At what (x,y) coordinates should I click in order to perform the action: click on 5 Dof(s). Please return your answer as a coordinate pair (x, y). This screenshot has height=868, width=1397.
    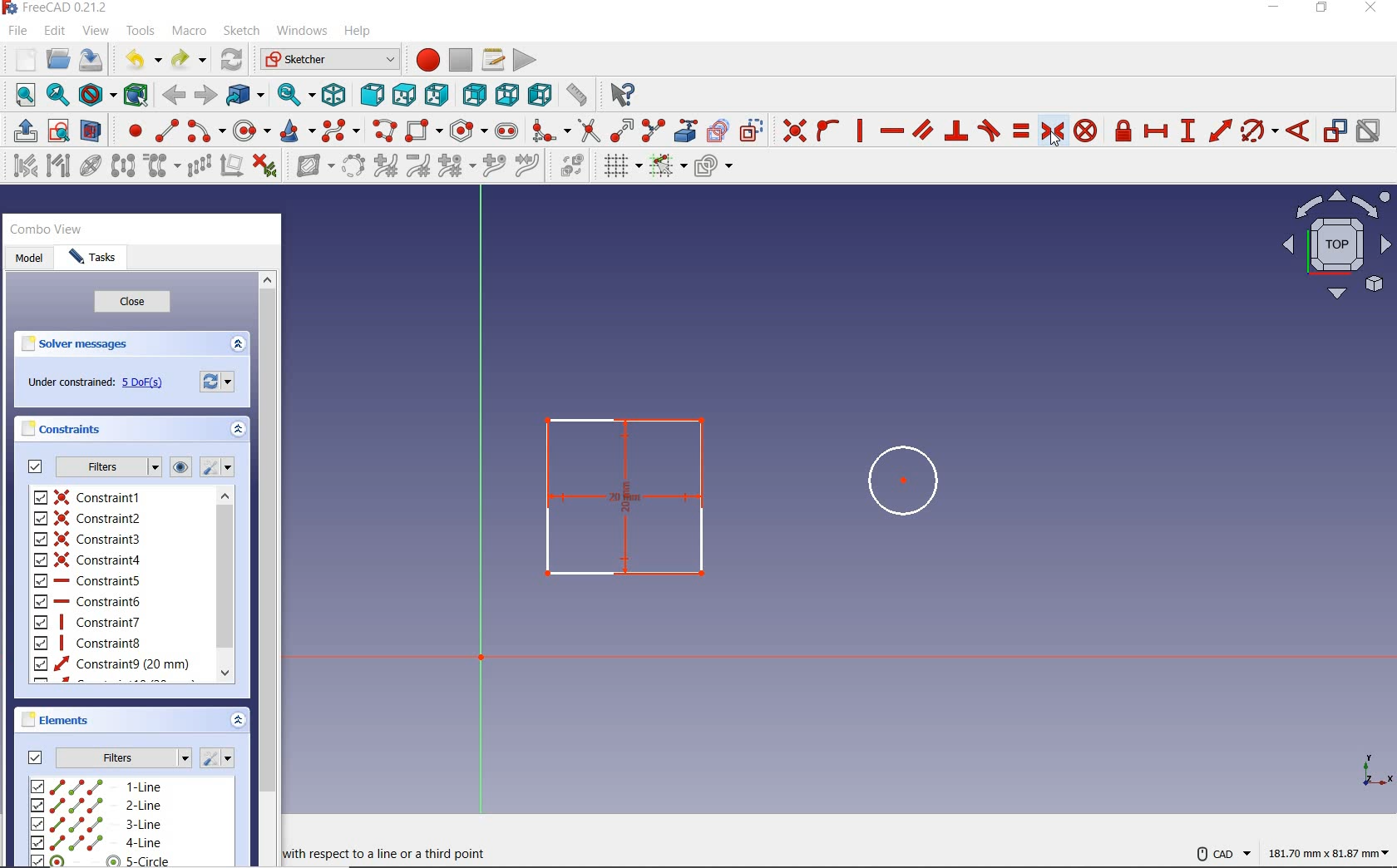
    Looking at the image, I should click on (145, 386).